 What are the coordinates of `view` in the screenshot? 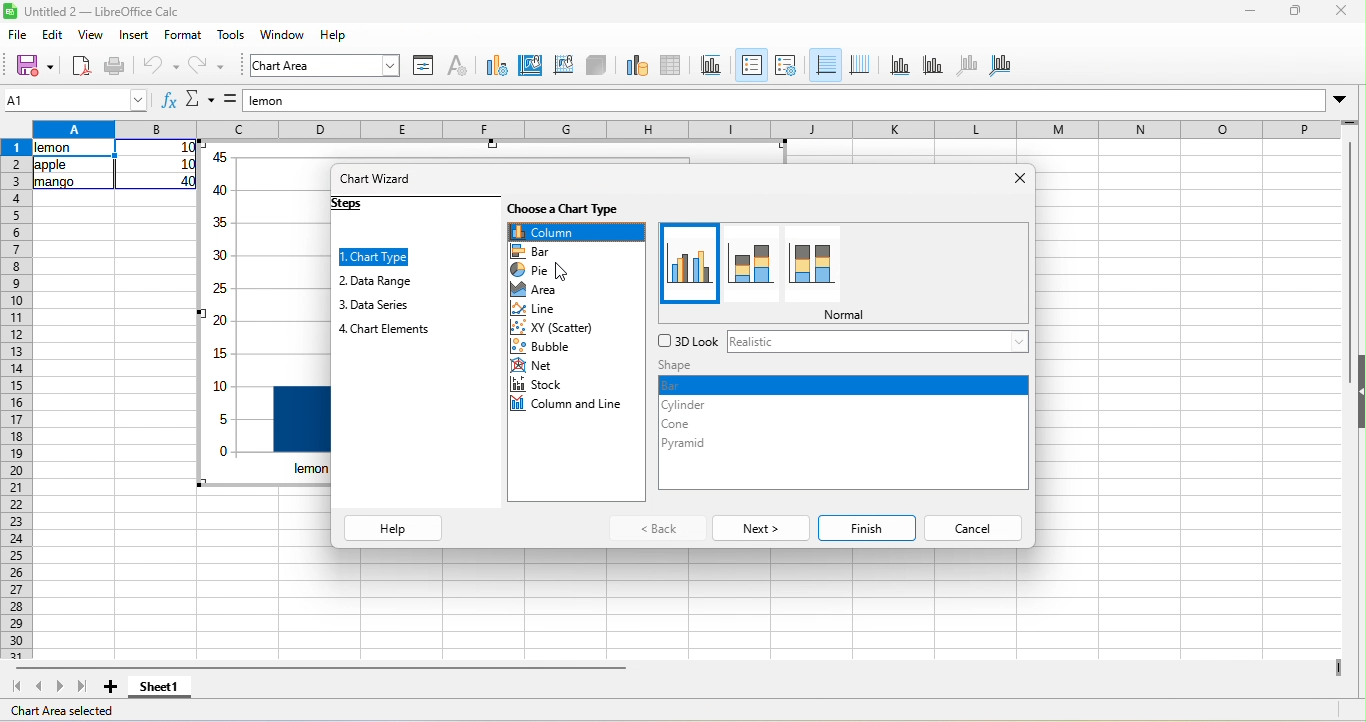 It's located at (94, 38).